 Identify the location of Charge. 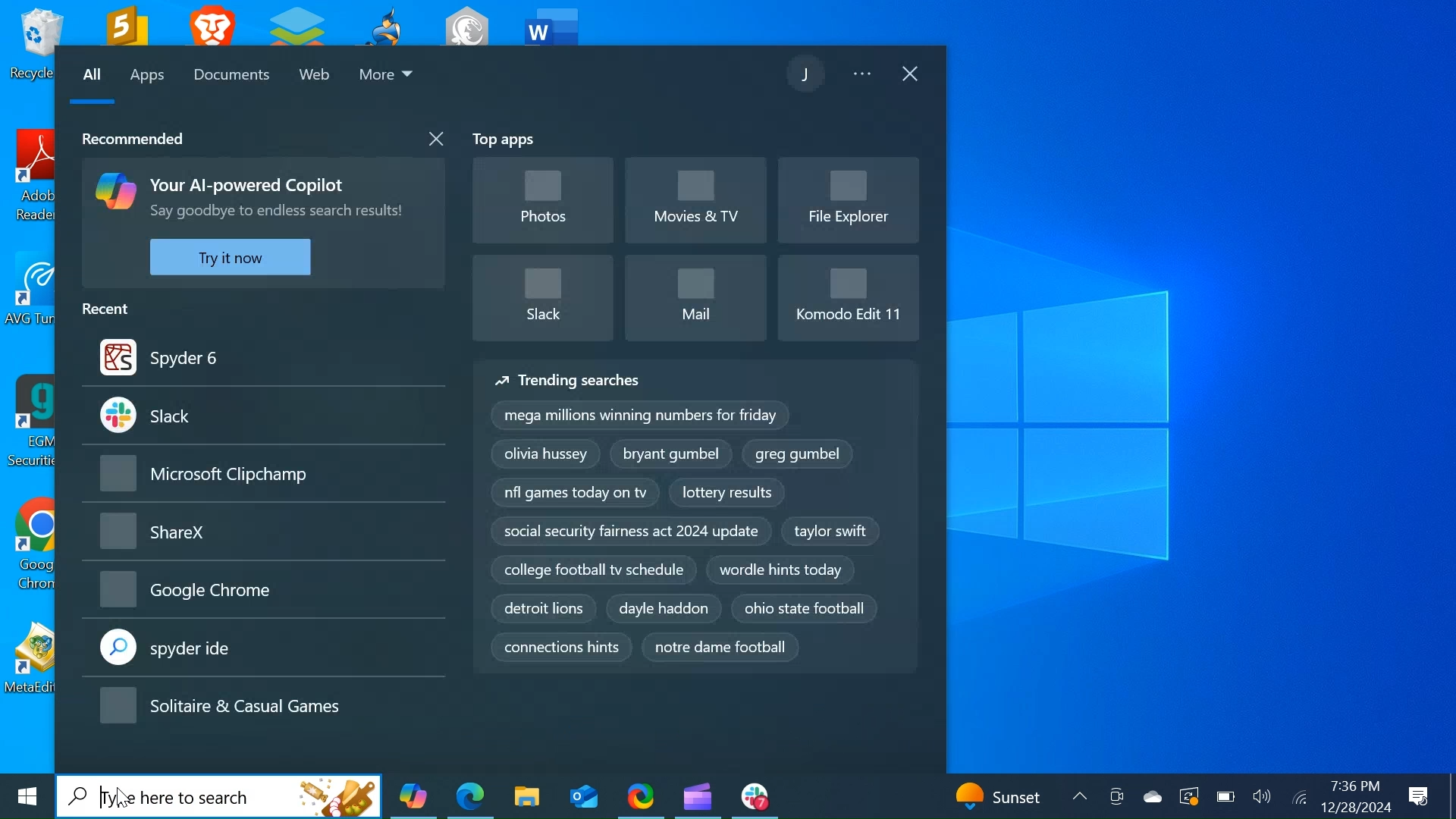
(1223, 797).